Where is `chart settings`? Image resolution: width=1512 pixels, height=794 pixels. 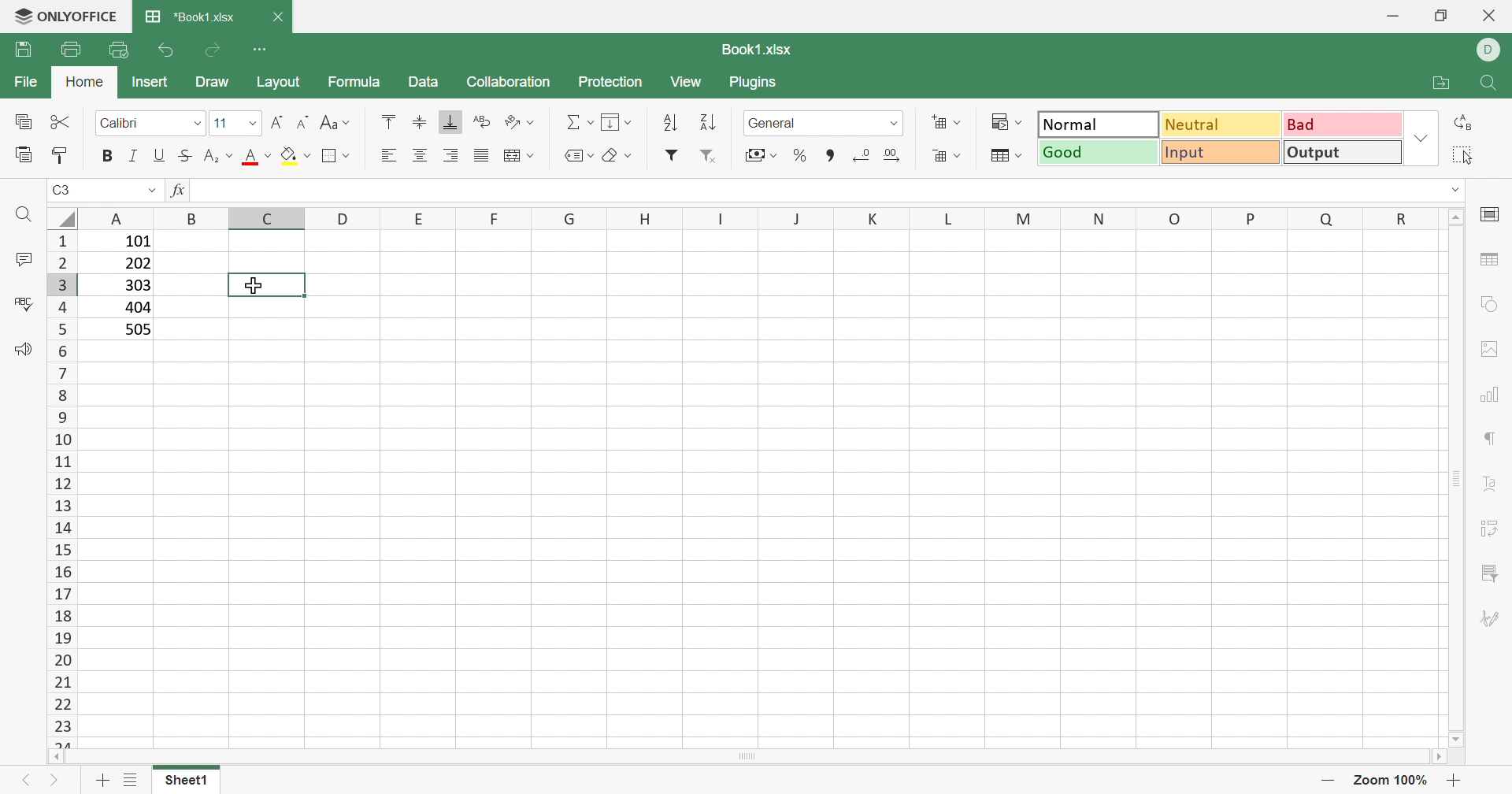
chart settings is located at coordinates (1495, 396).